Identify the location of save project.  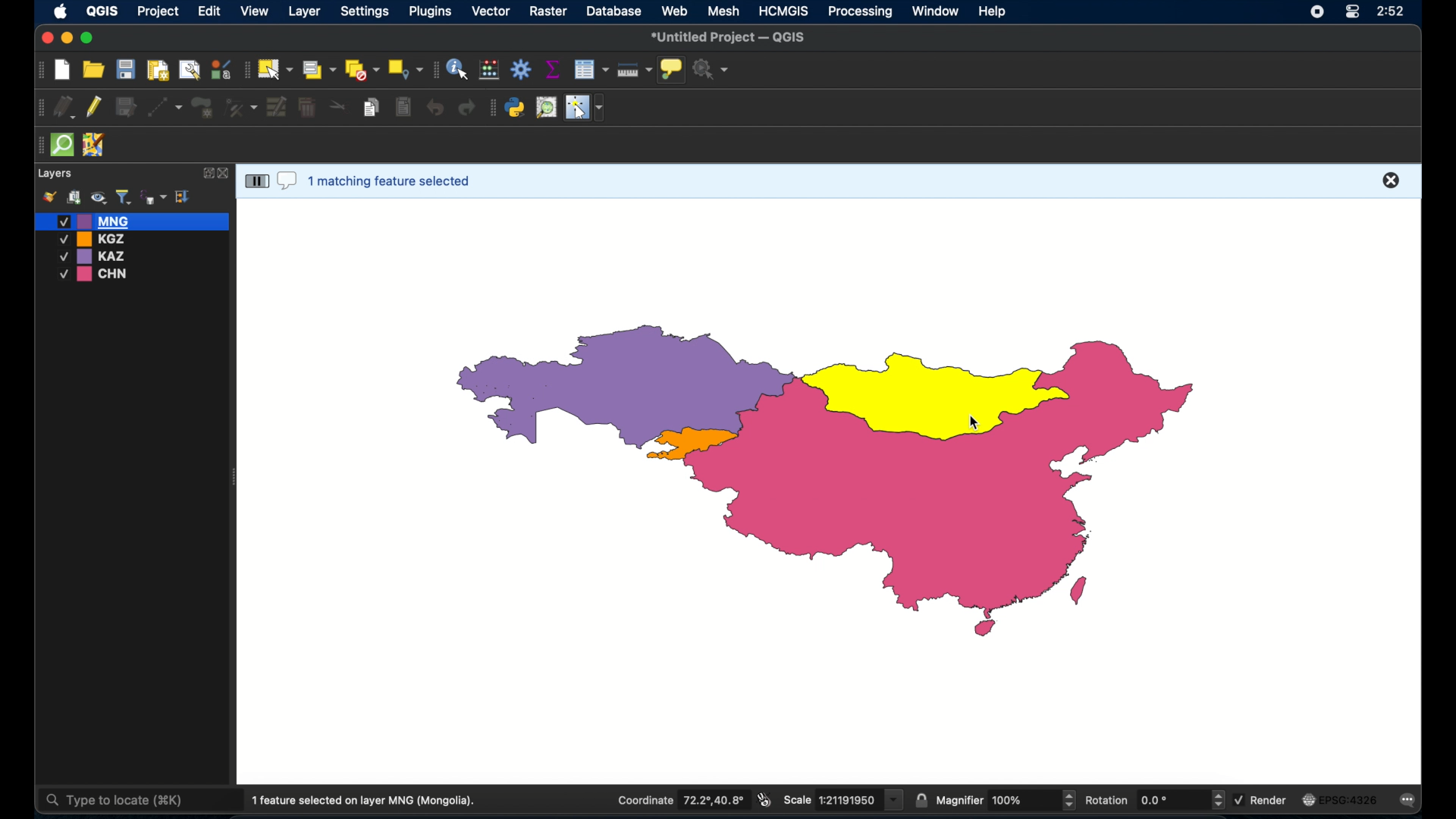
(125, 69).